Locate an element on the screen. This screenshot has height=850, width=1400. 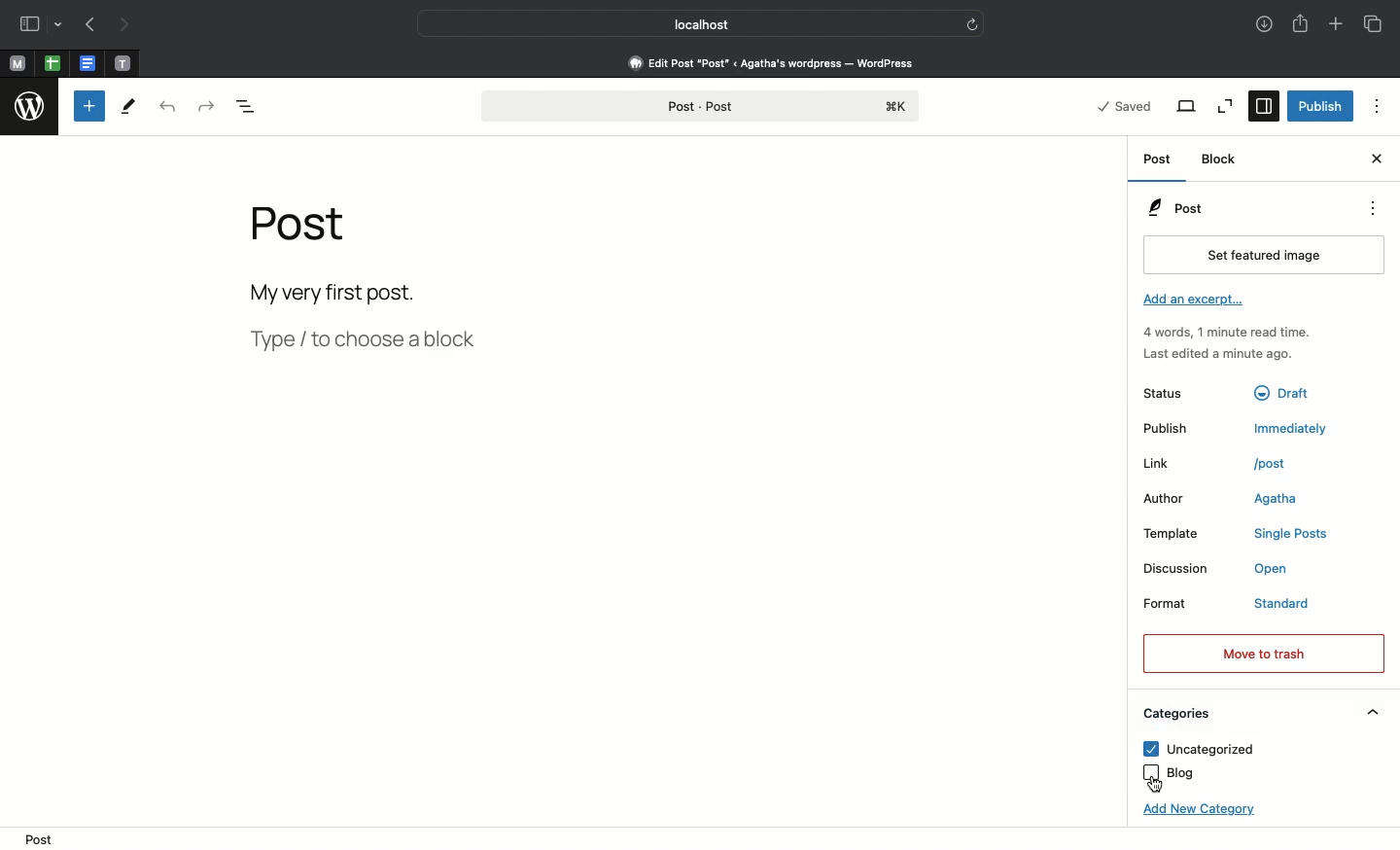
Add new tab is located at coordinates (1335, 25).